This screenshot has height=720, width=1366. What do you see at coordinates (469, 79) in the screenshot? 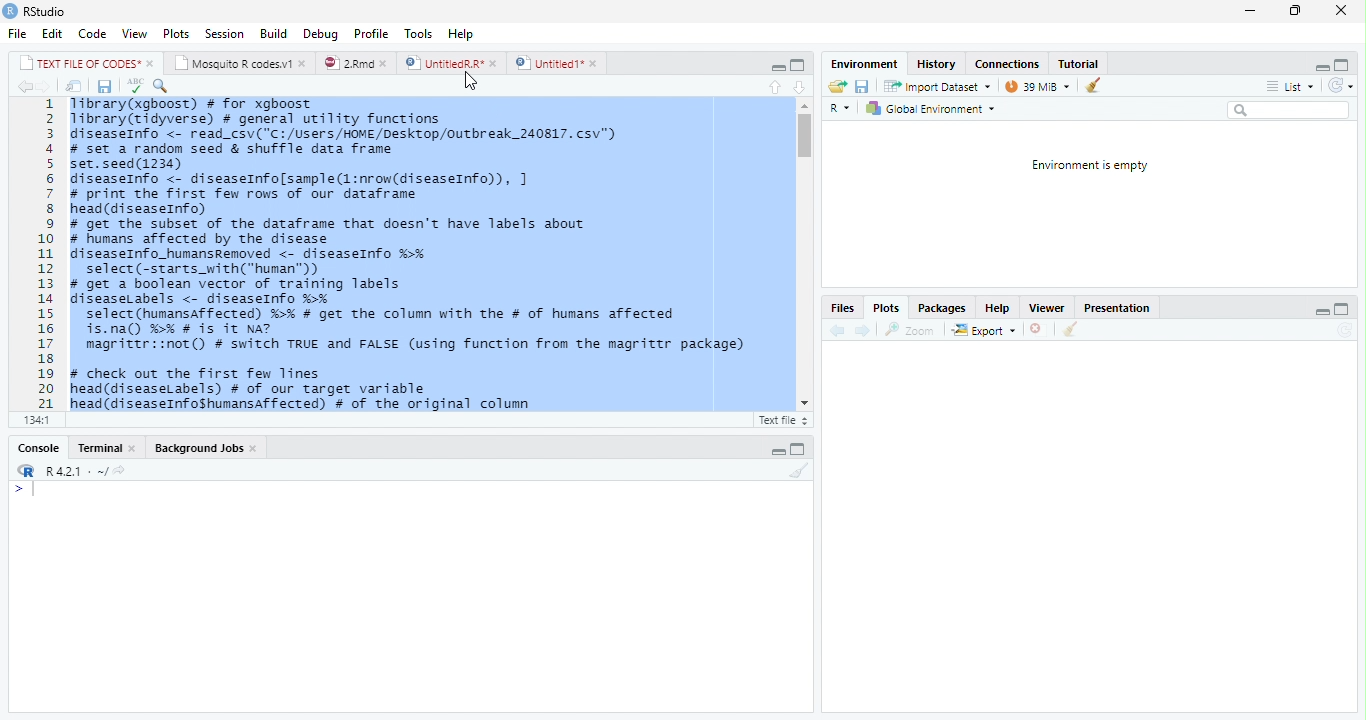
I see `Cursor` at bounding box center [469, 79].